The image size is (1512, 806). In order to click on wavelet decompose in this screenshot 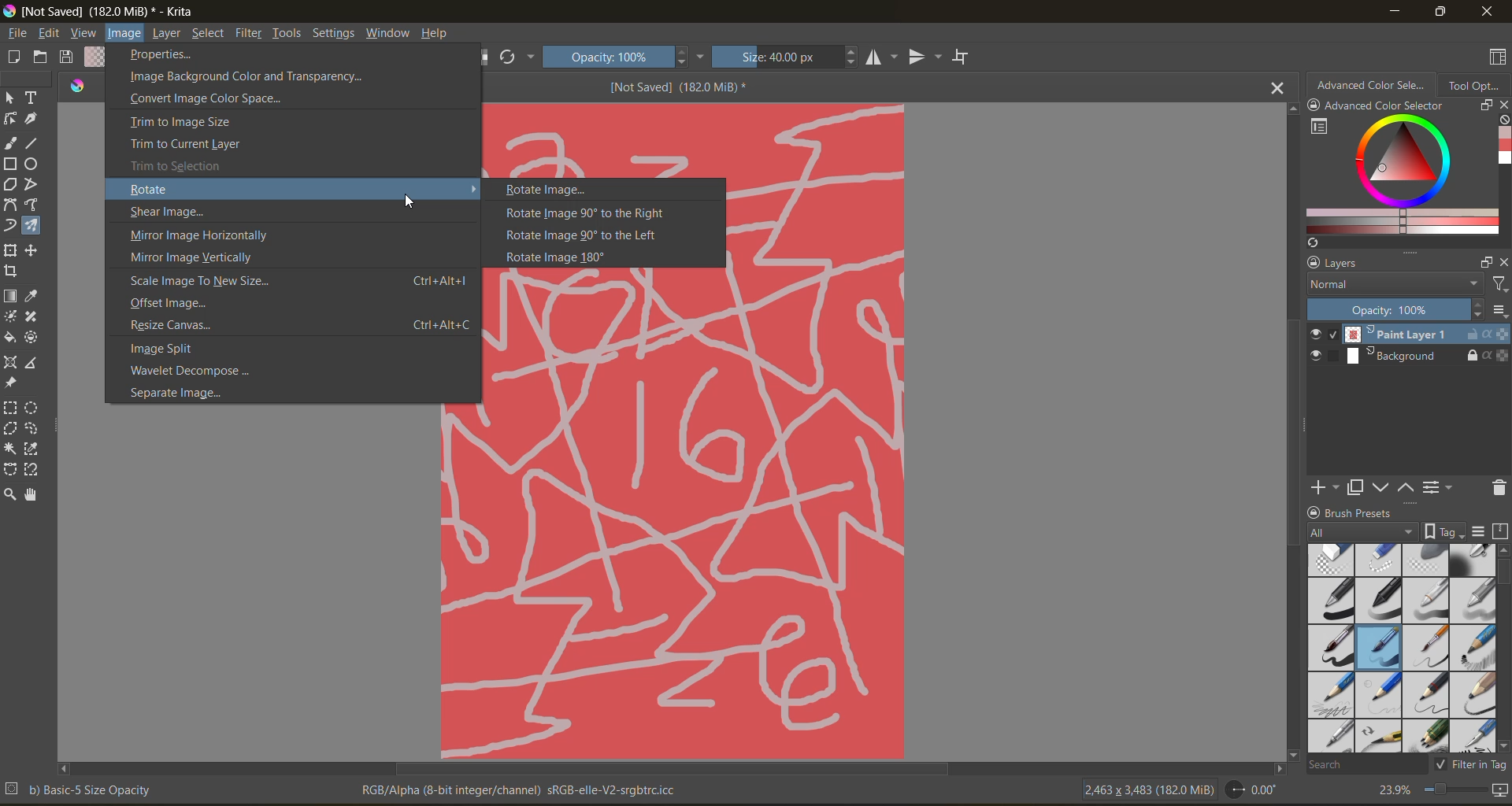, I will do `click(203, 370)`.